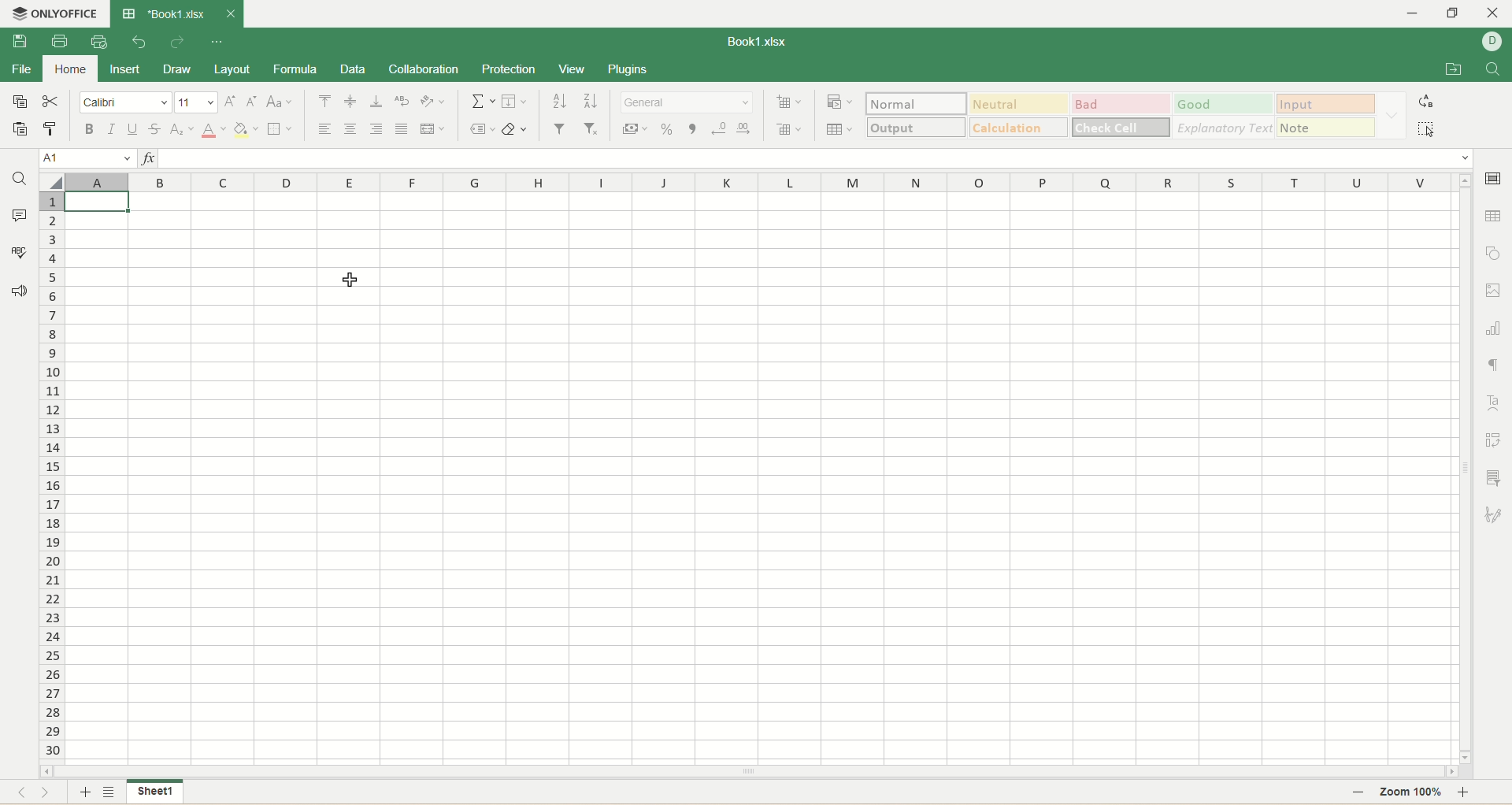  Describe the element at coordinates (213, 132) in the screenshot. I see `text color` at that location.